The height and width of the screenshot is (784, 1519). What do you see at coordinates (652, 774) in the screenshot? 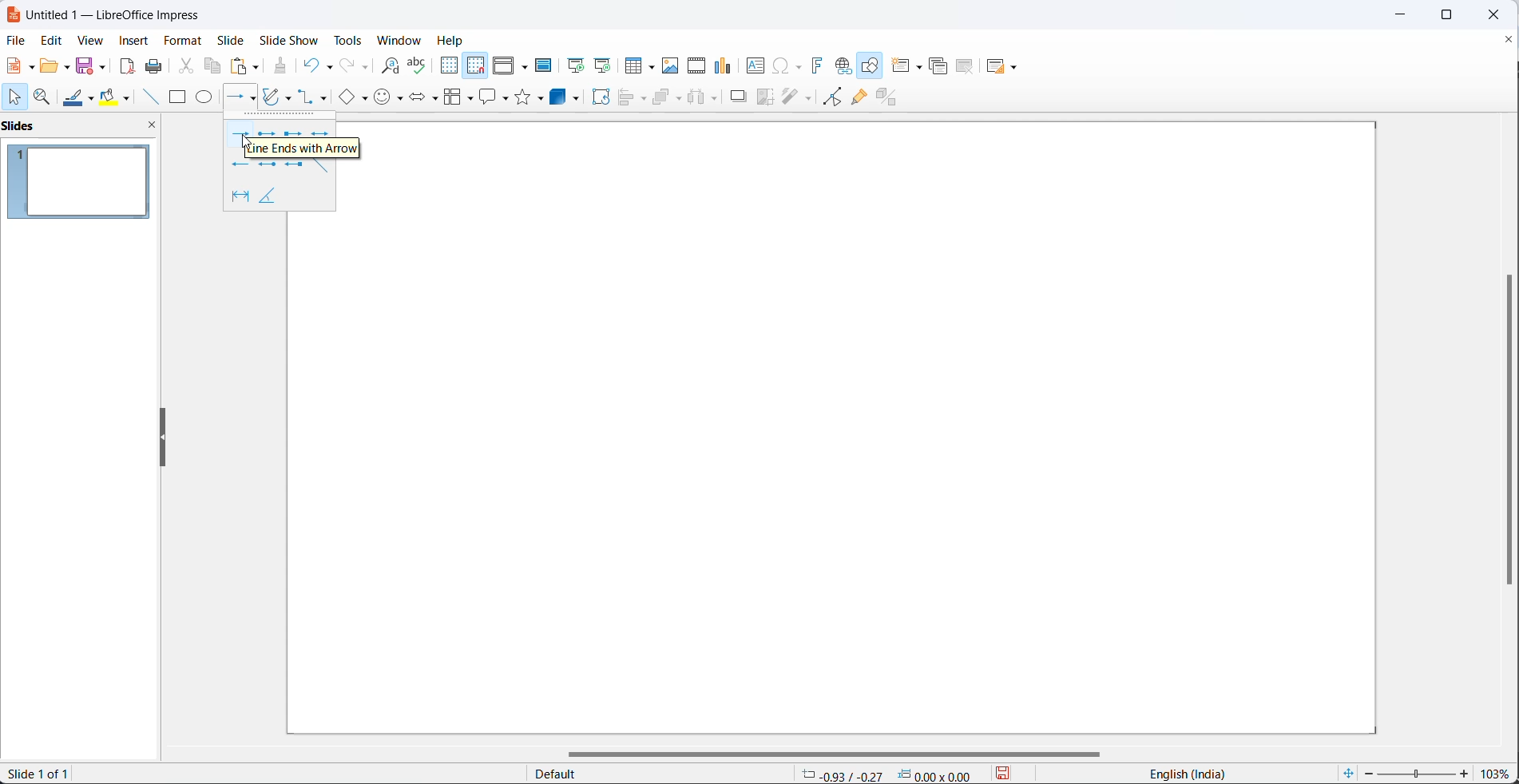
I see `default page style` at bounding box center [652, 774].